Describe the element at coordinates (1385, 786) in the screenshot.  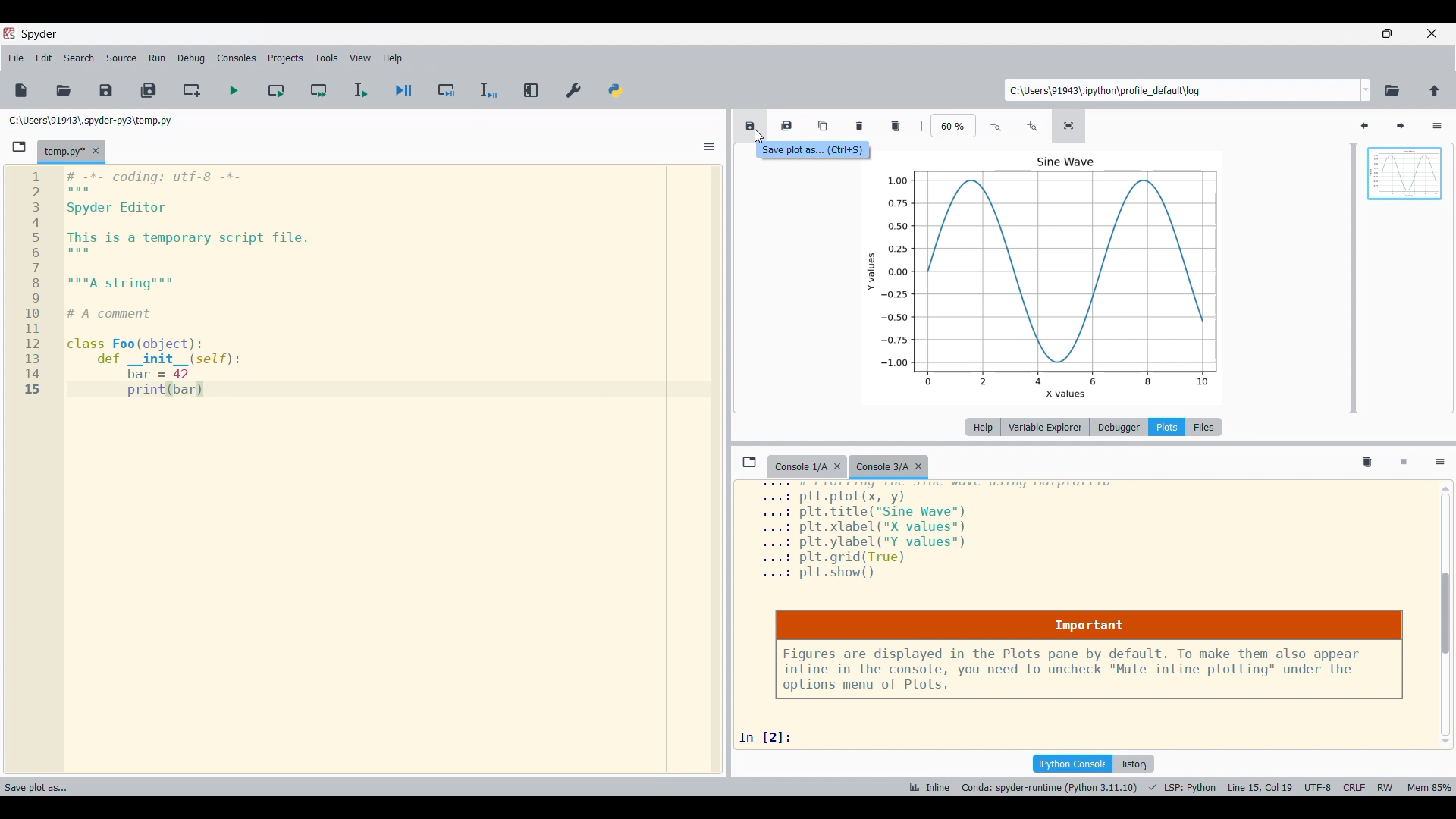
I see `RW` at that location.